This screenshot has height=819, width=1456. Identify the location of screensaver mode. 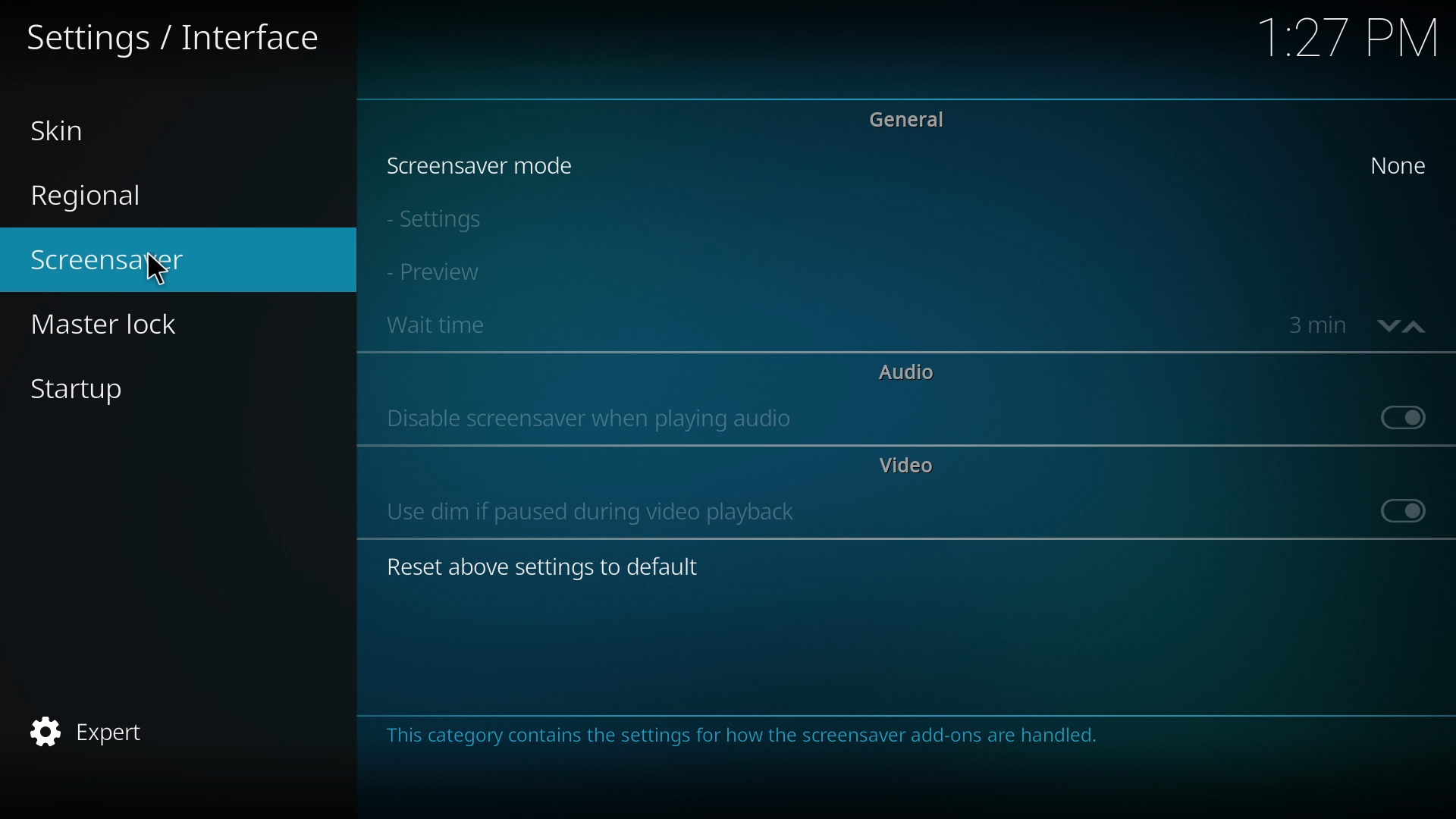
(483, 165).